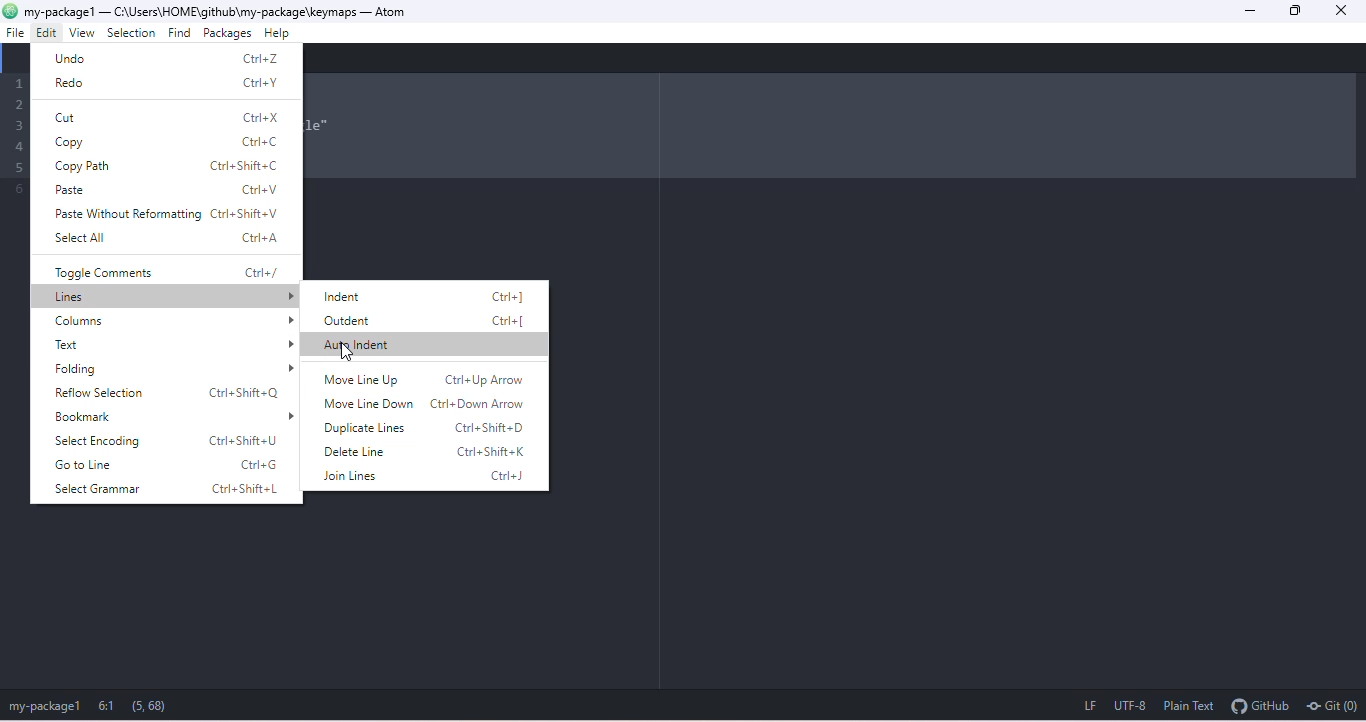 Image resolution: width=1366 pixels, height=722 pixels. I want to click on cursor movement, so click(48, 33).